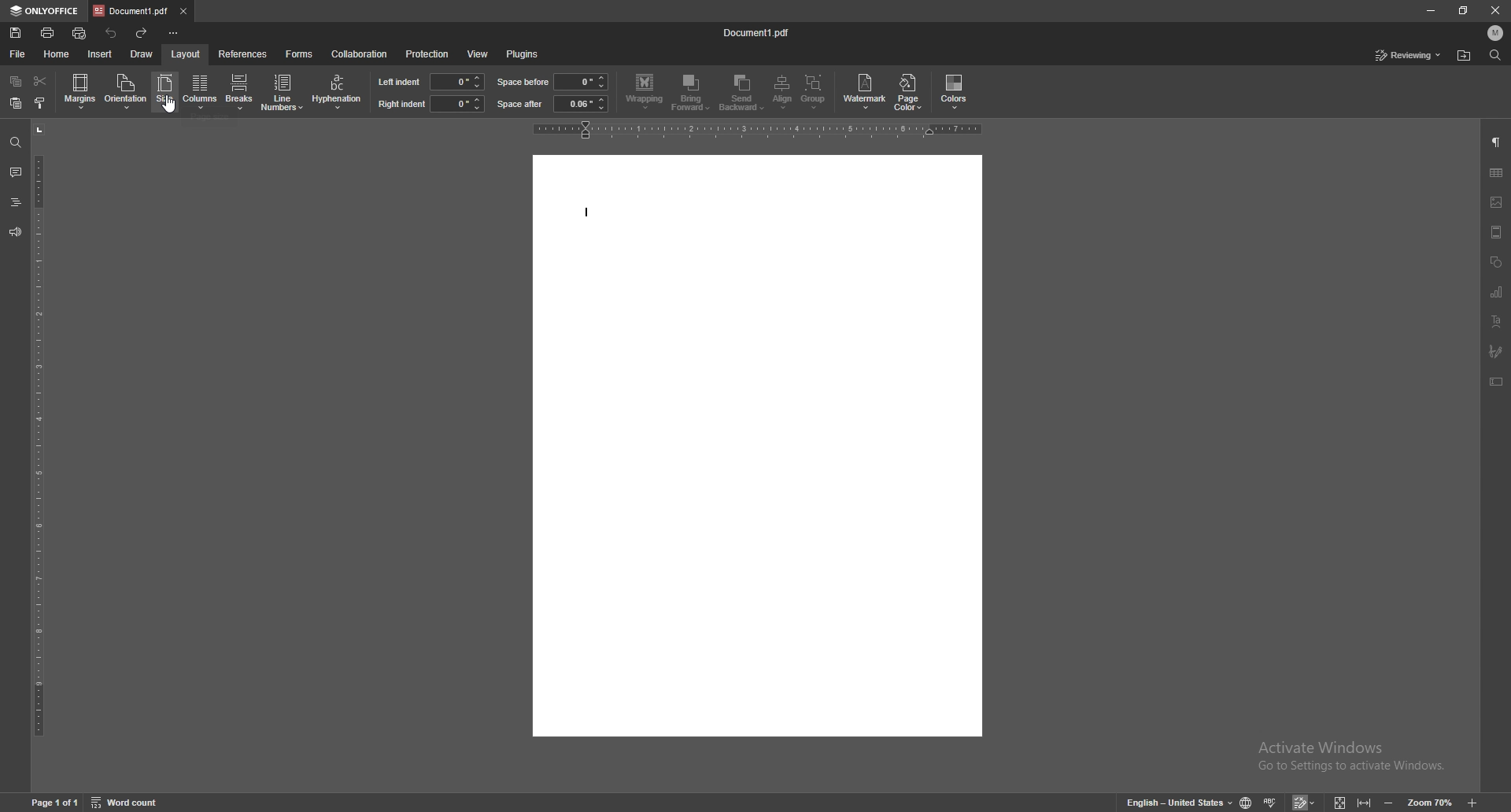 This screenshot has height=812, width=1511. Describe the element at coordinates (1174, 803) in the screenshot. I see `English - United states` at that location.